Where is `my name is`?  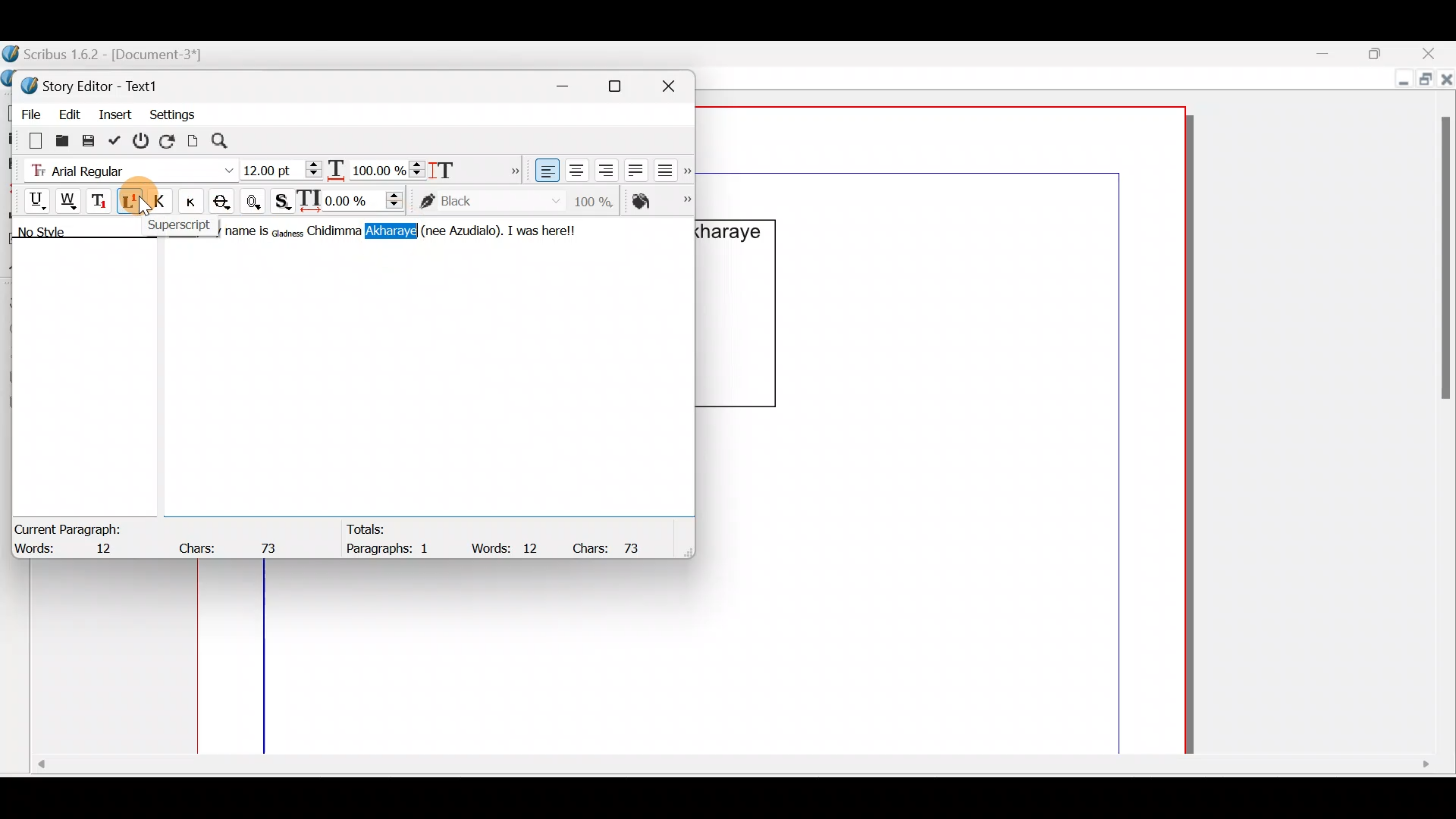 my name is is located at coordinates (244, 233).